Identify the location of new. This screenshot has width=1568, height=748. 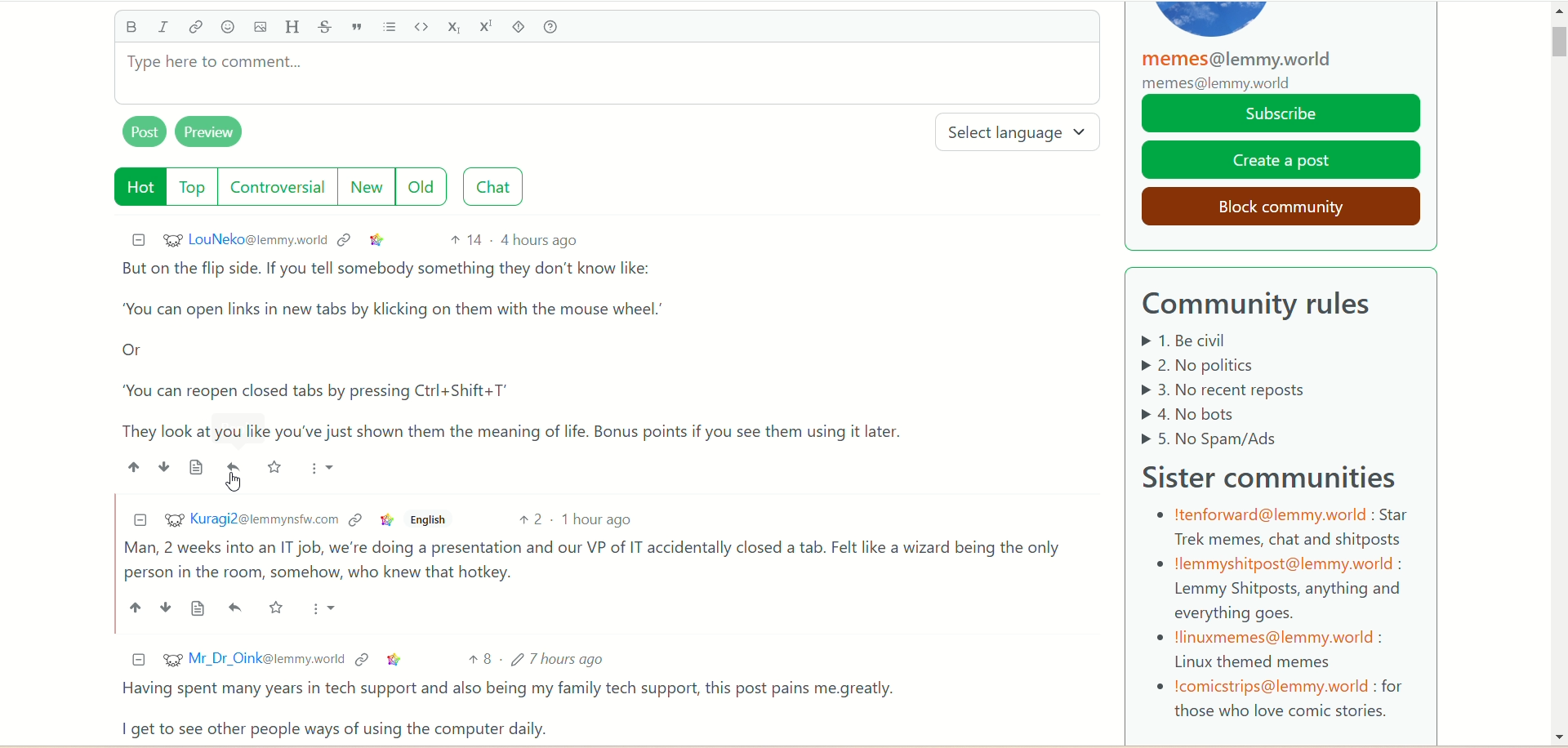
(369, 187).